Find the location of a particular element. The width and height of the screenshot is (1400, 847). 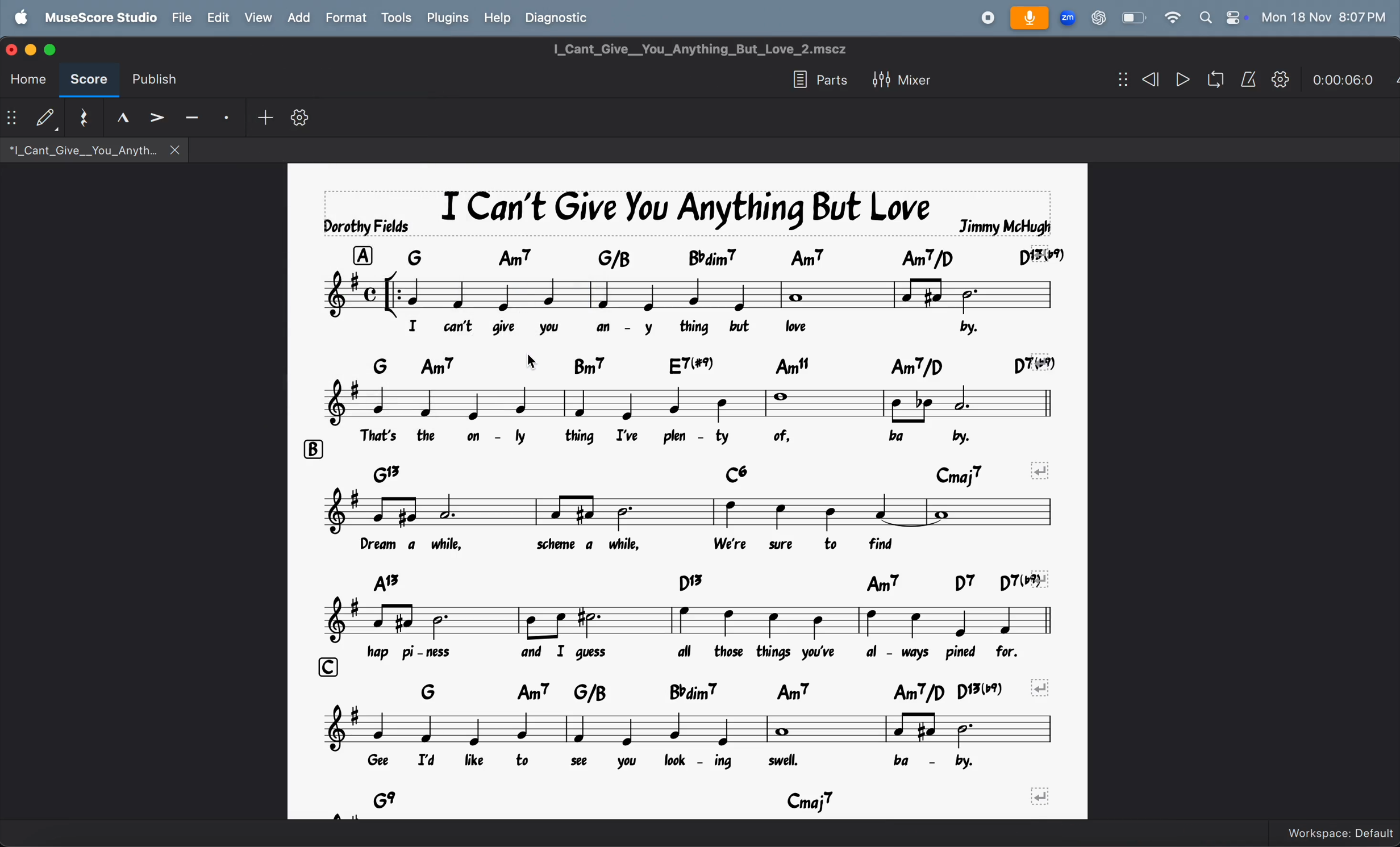

*|_Cant_Give__You_Anyth.. X is located at coordinates (93, 150).